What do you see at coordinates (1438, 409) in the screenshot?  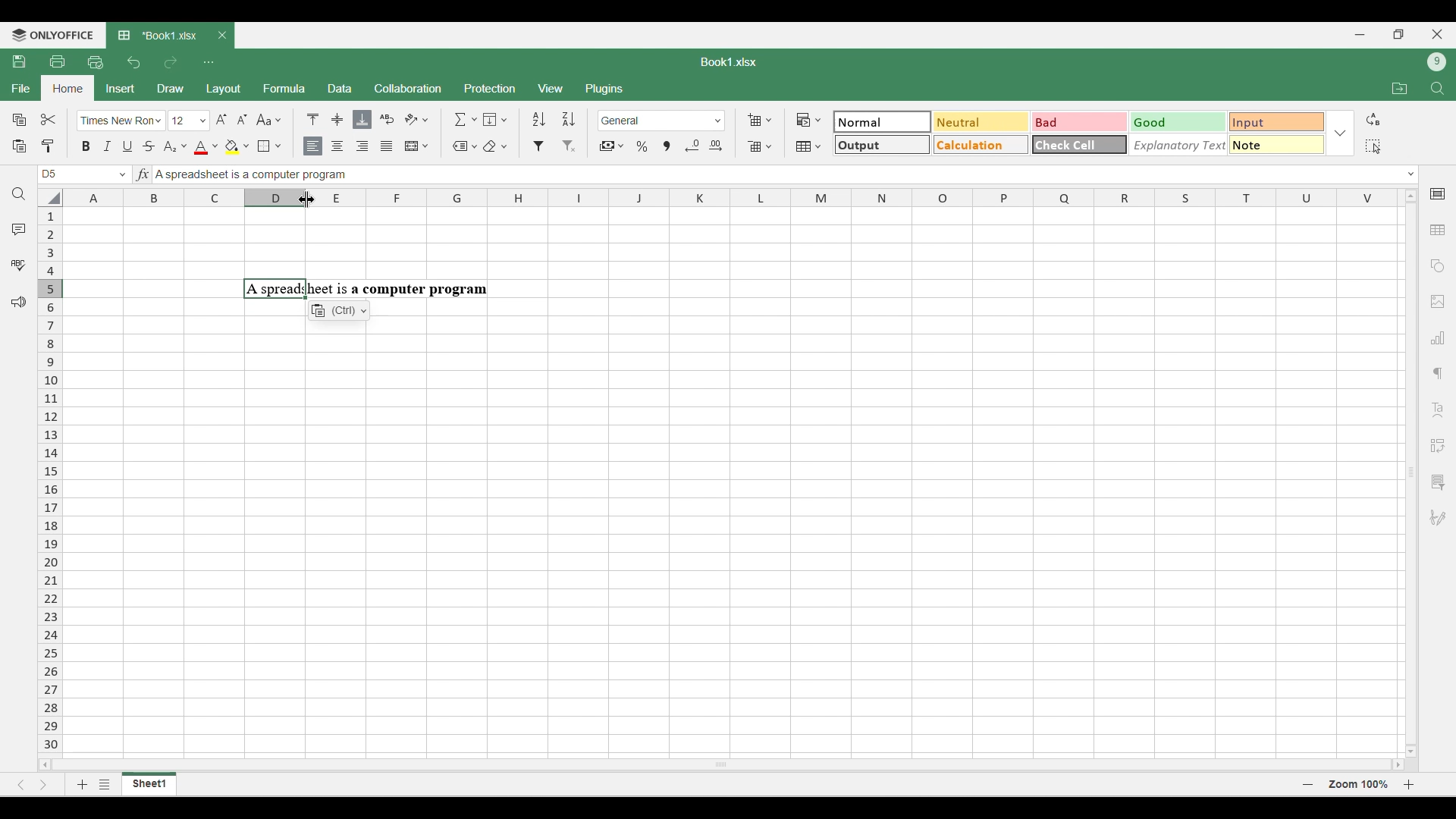 I see `Text alignment` at bounding box center [1438, 409].